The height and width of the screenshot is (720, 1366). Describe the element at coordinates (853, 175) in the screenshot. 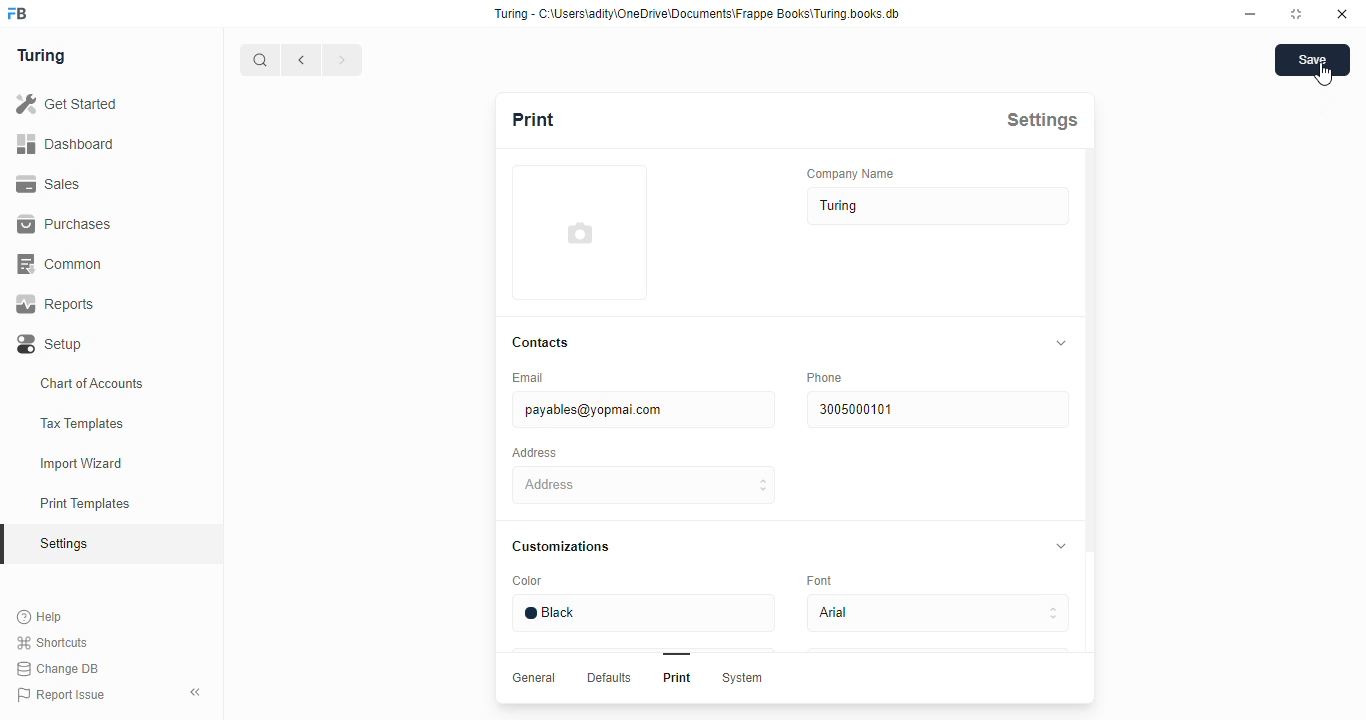

I see `‘Company Name` at that location.